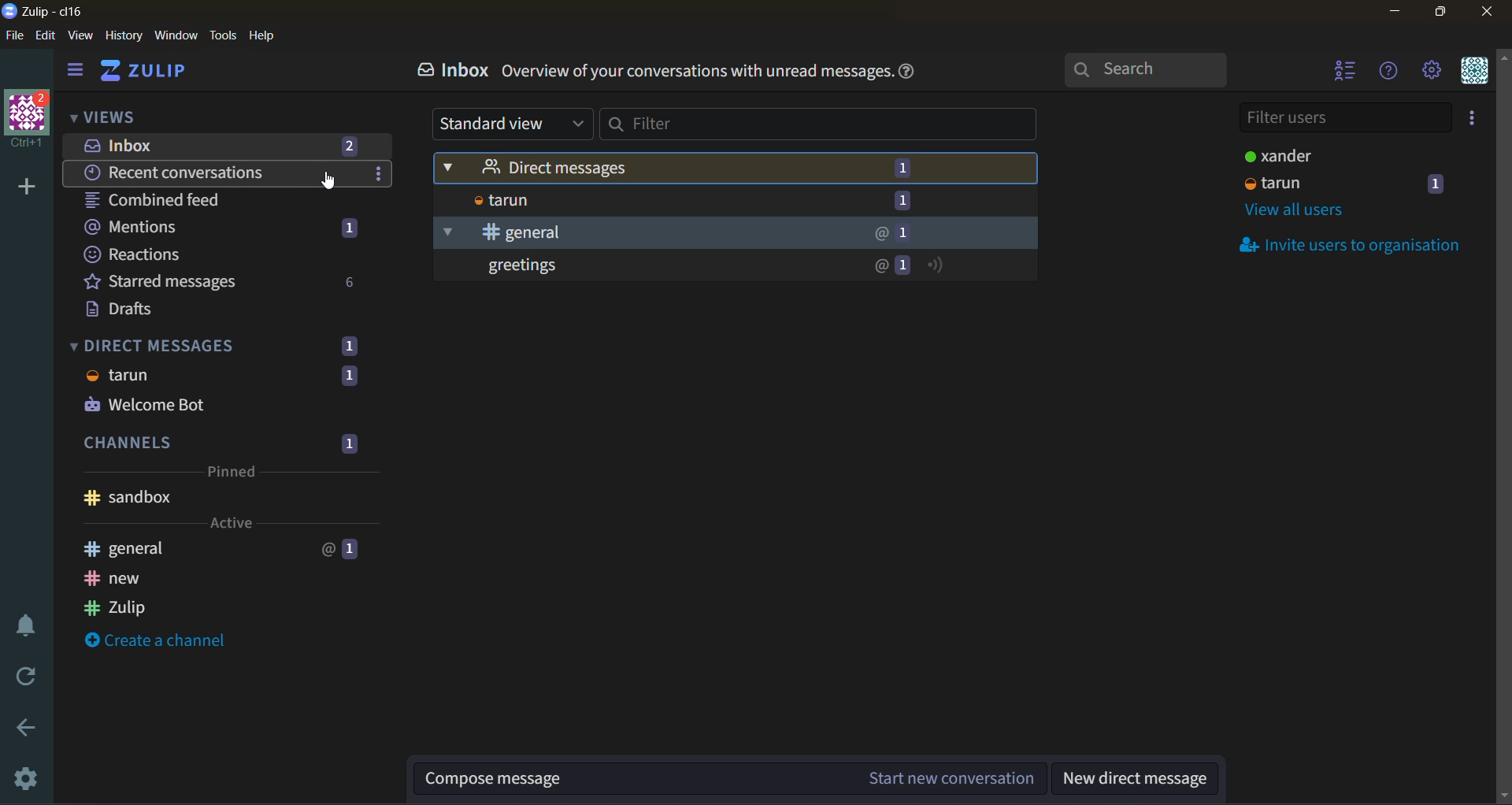 The height and width of the screenshot is (805, 1512). What do you see at coordinates (222, 280) in the screenshot?
I see `starred messages` at bounding box center [222, 280].